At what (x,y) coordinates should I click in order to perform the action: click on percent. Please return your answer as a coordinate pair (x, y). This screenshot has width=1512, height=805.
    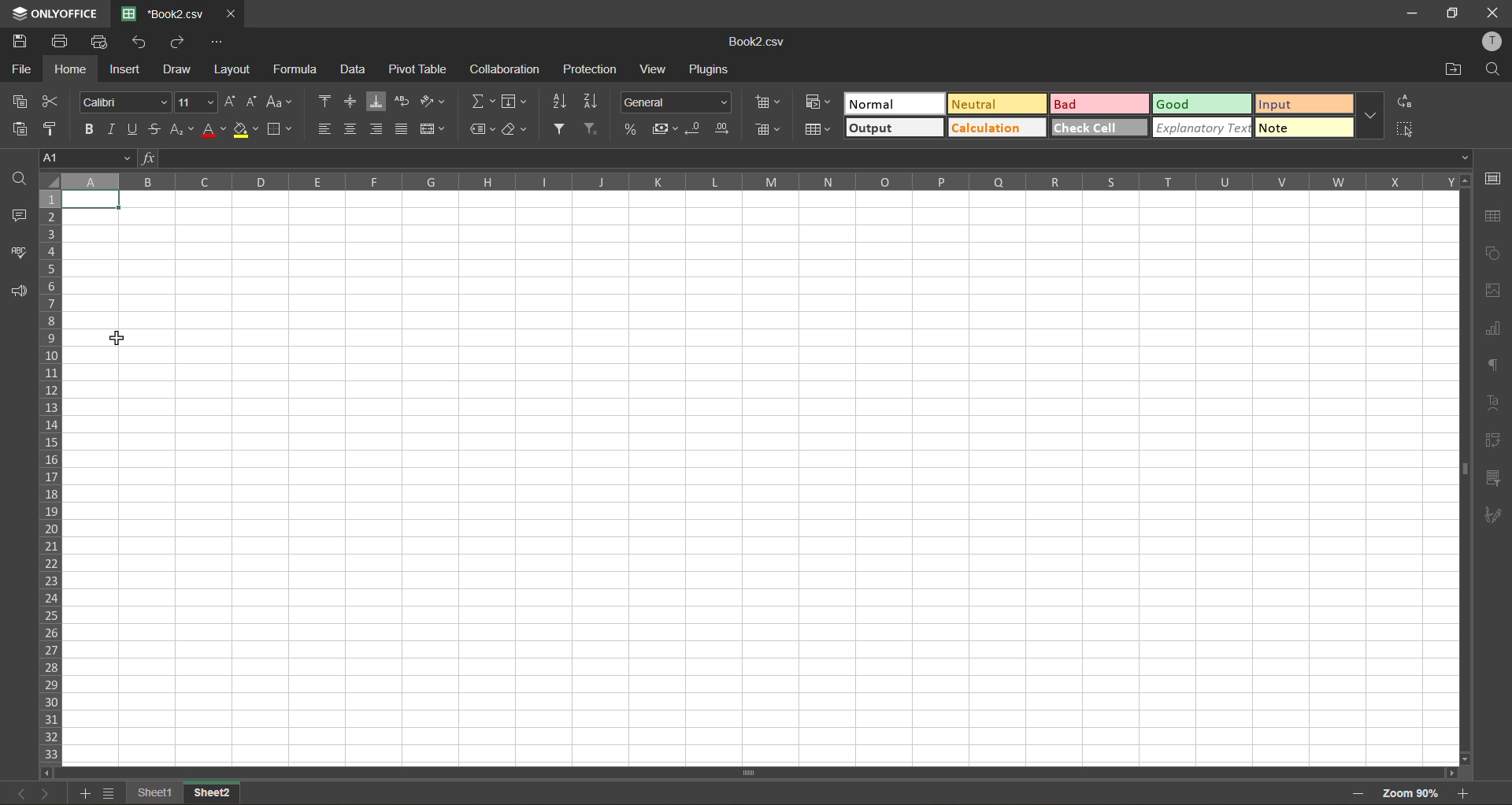
    Looking at the image, I should click on (632, 129).